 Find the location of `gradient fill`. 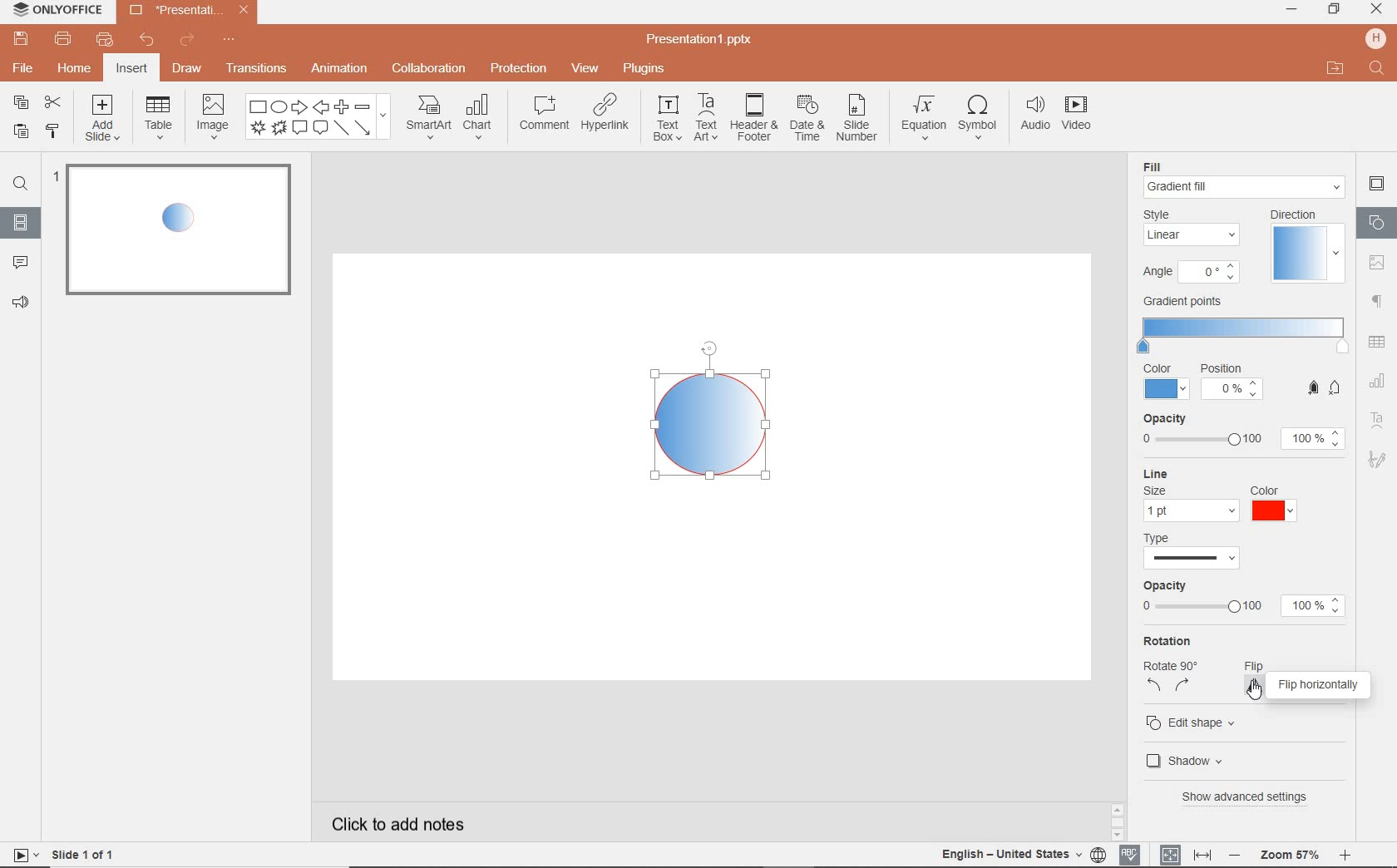

gradient fill is located at coordinates (1246, 187).